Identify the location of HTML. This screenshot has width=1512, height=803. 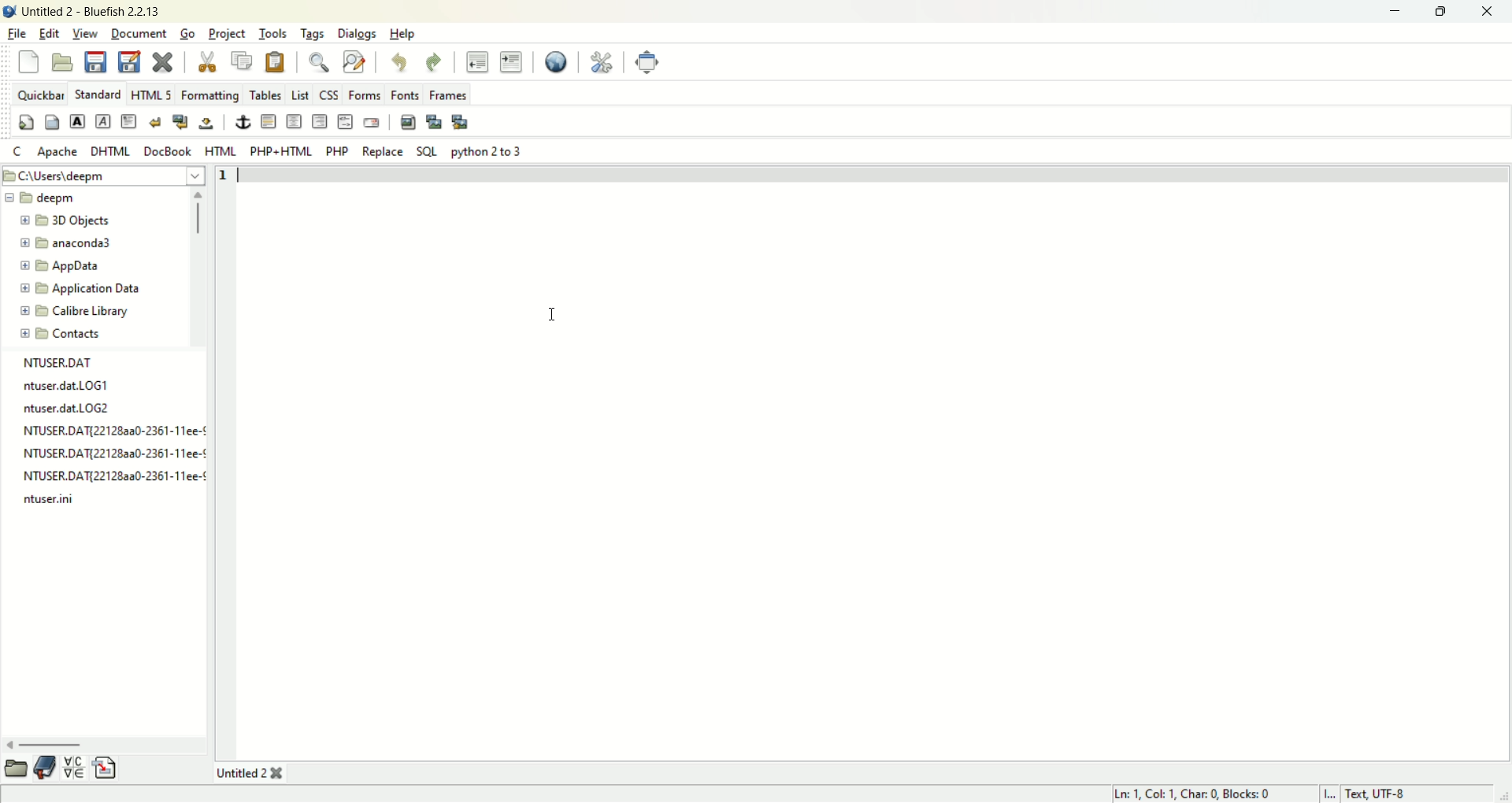
(220, 150).